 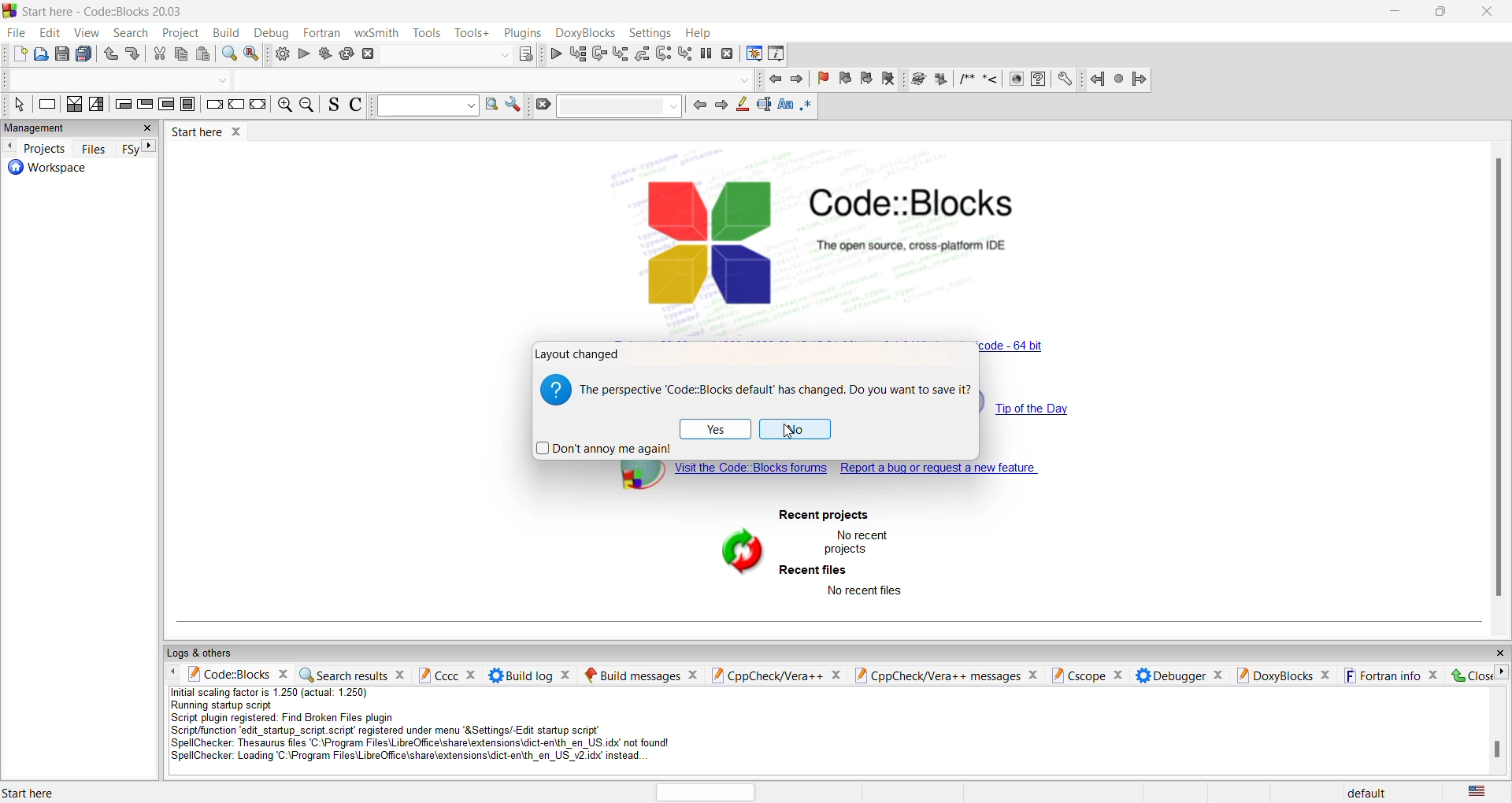 What do you see at coordinates (252, 54) in the screenshot?
I see `replace` at bounding box center [252, 54].